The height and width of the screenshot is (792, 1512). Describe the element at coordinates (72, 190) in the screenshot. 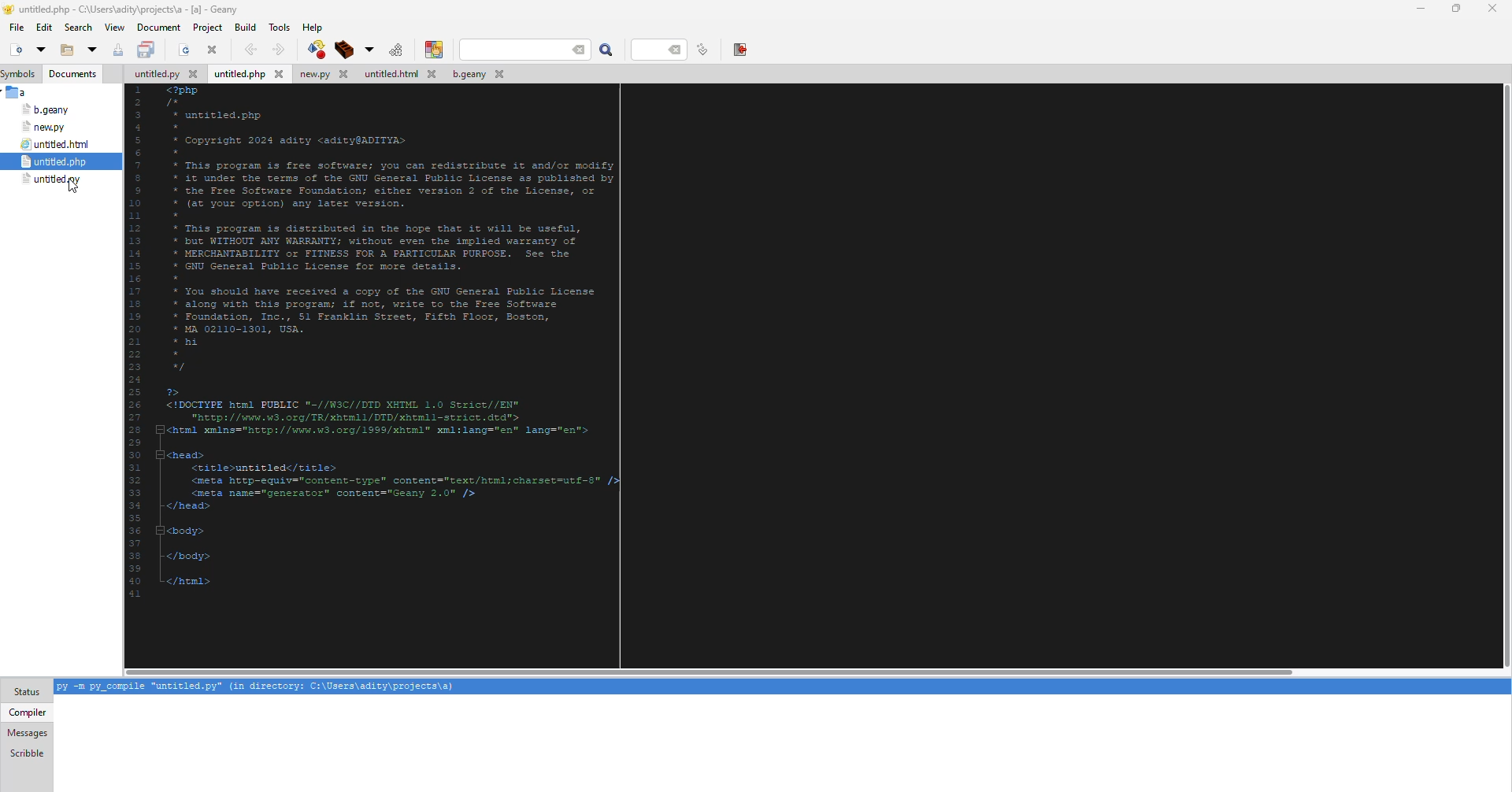

I see `cursor` at that location.